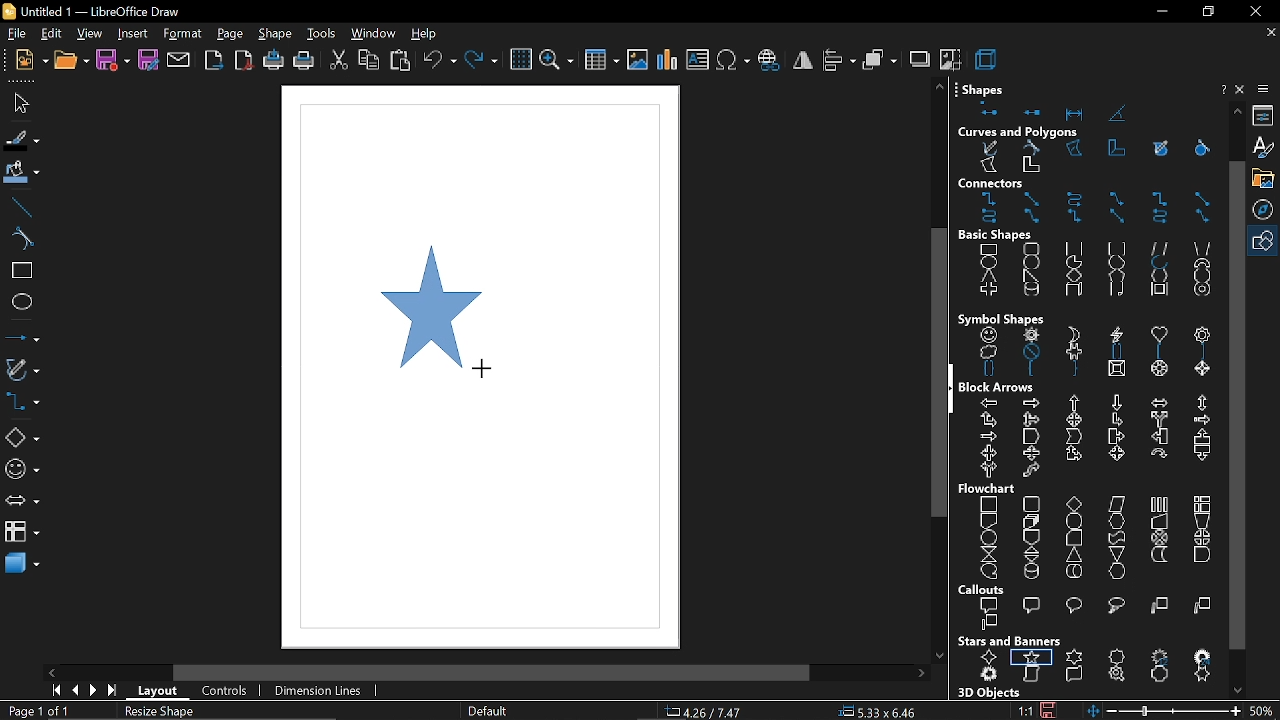  What do you see at coordinates (24, 102) in the screenshot?
I see `file` at bounding box center [24, 102].